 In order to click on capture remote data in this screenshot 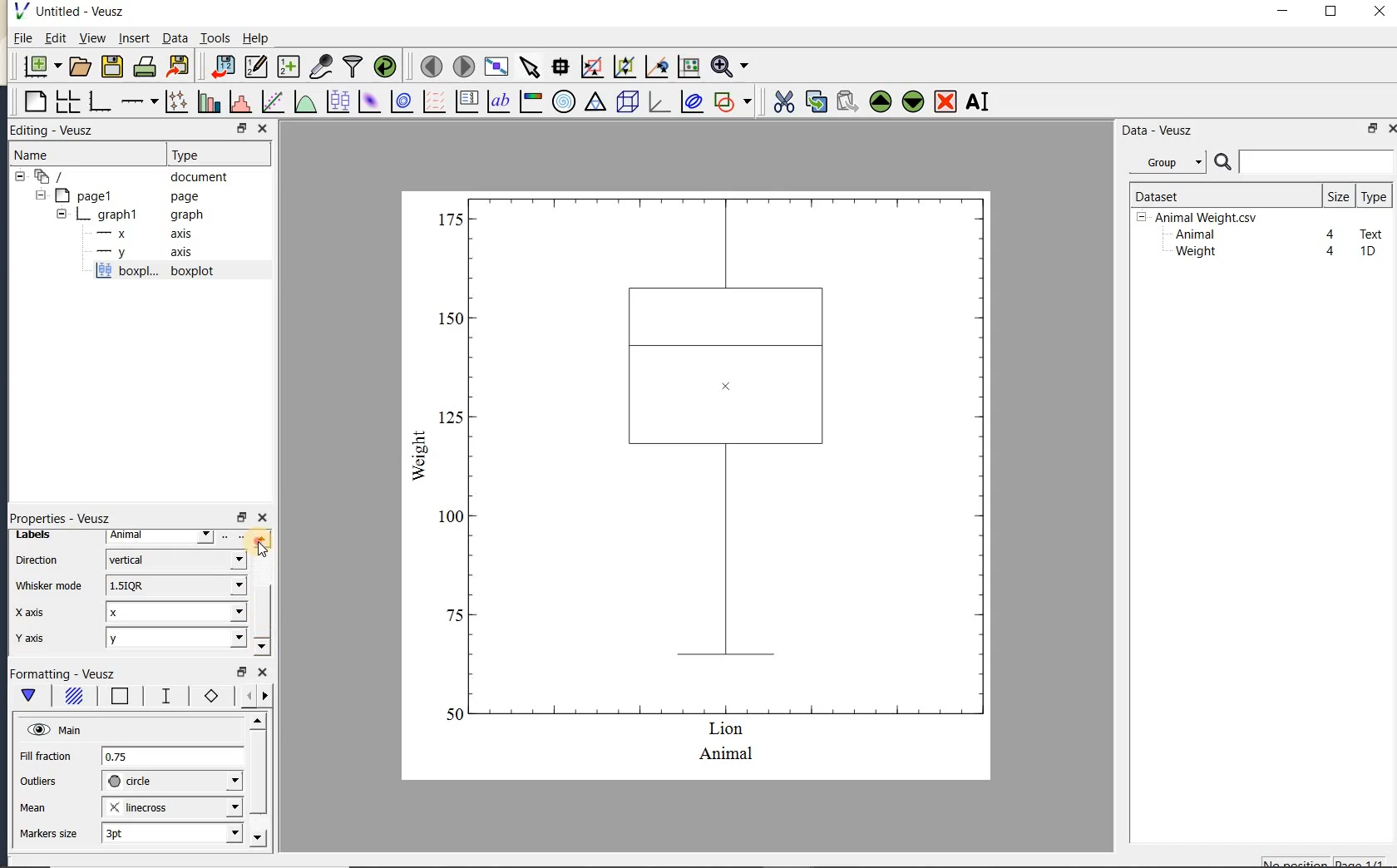, I will do `click(321, 66)`.